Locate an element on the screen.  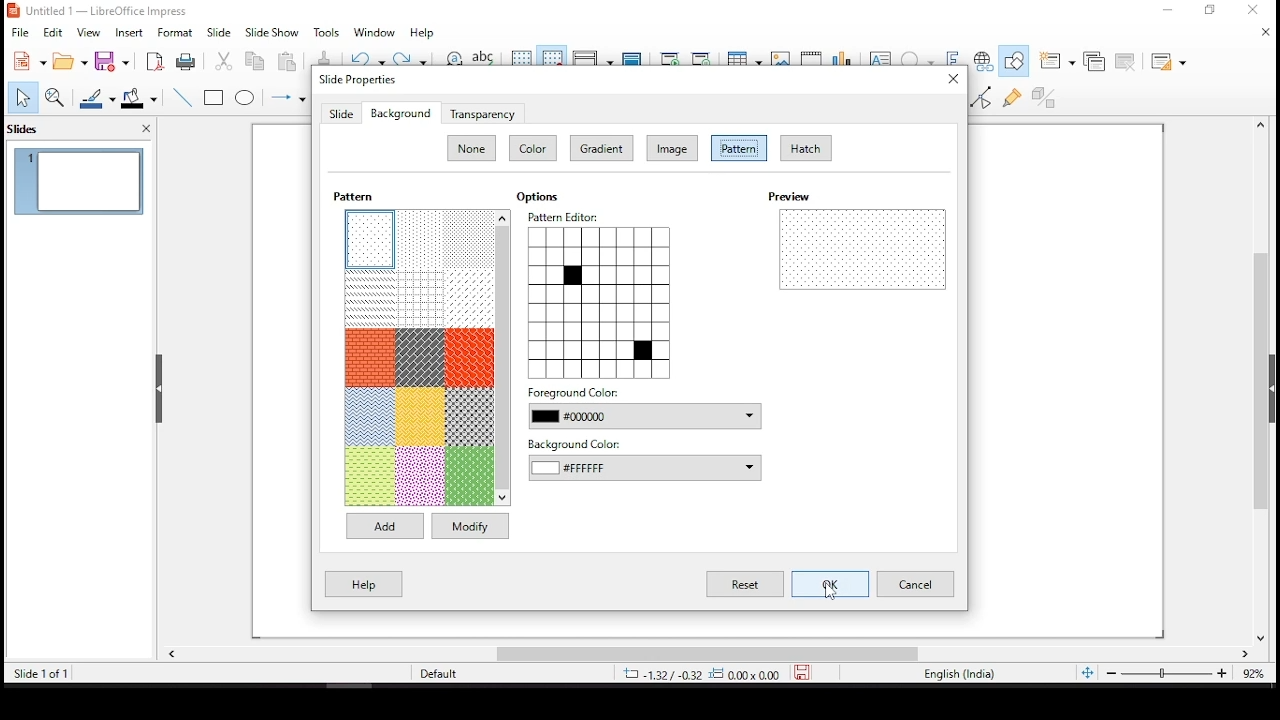
ok is located at coordinates (832, 584).